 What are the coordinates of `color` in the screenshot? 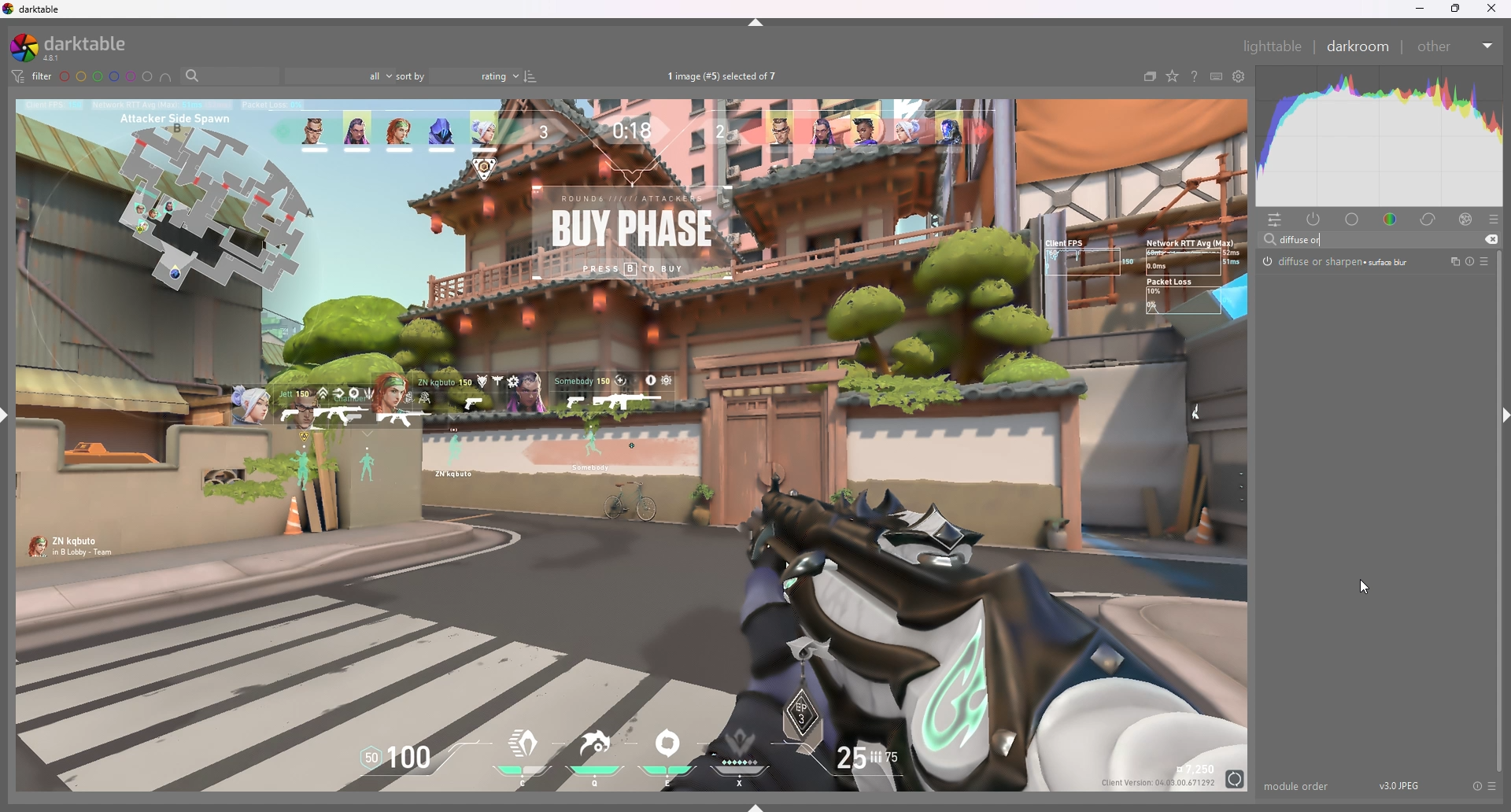 It's located at (1391, 218).